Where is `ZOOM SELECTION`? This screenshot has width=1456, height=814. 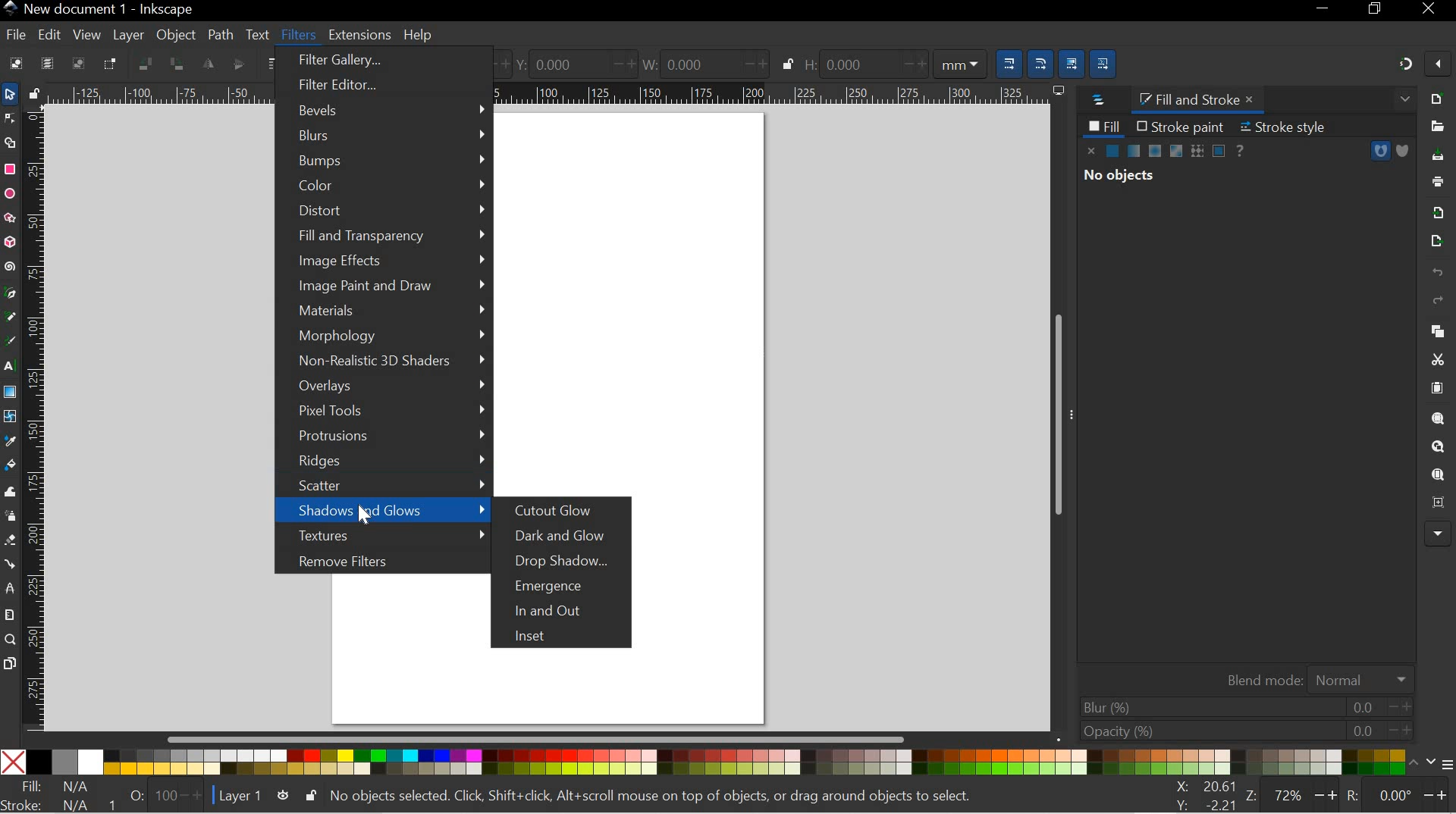 ZOOM SELECTION is located at coordinates (1439, 418).